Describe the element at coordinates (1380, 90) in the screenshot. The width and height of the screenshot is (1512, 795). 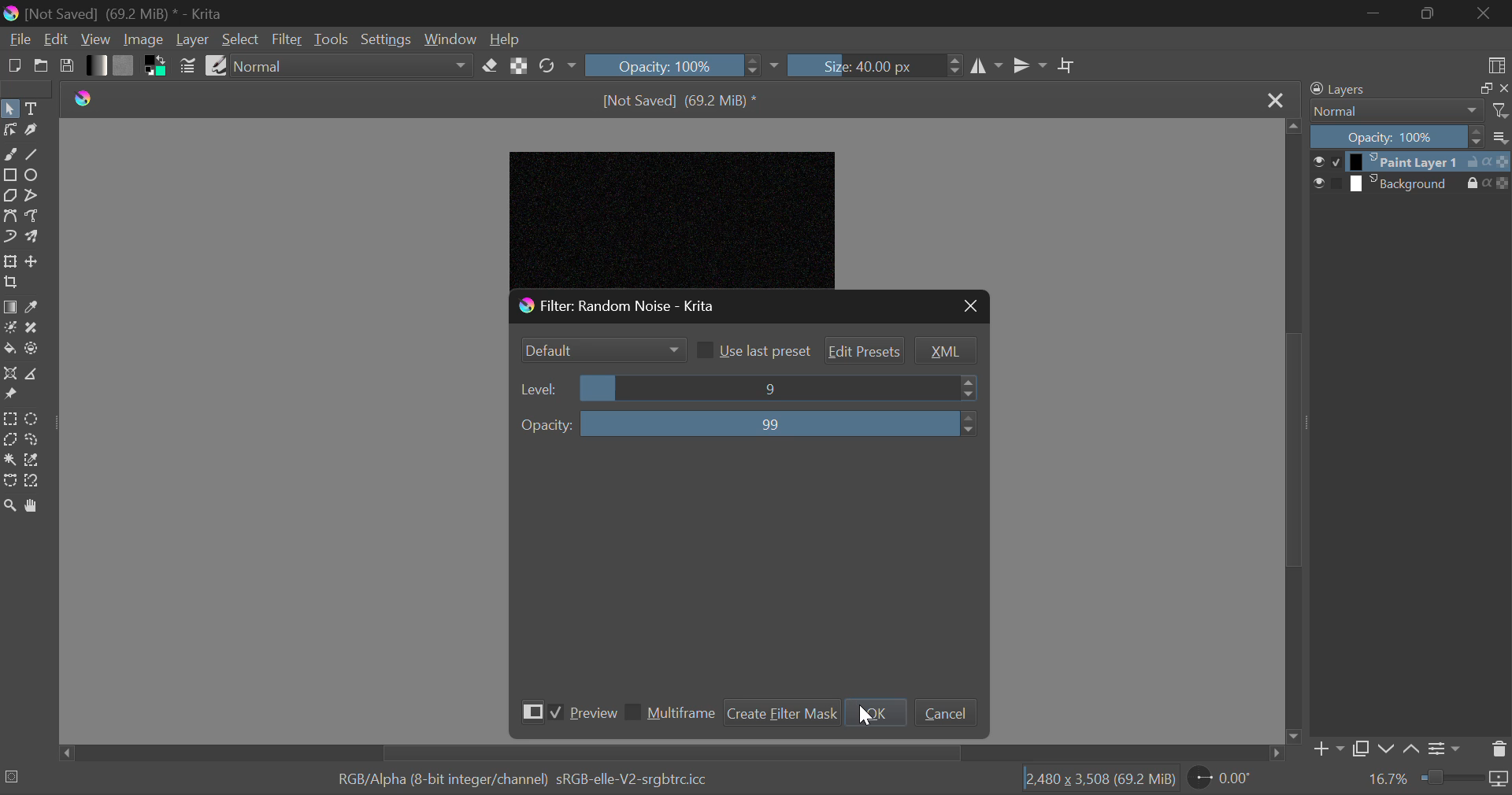
I see `Layers Docker Tab` at that location.